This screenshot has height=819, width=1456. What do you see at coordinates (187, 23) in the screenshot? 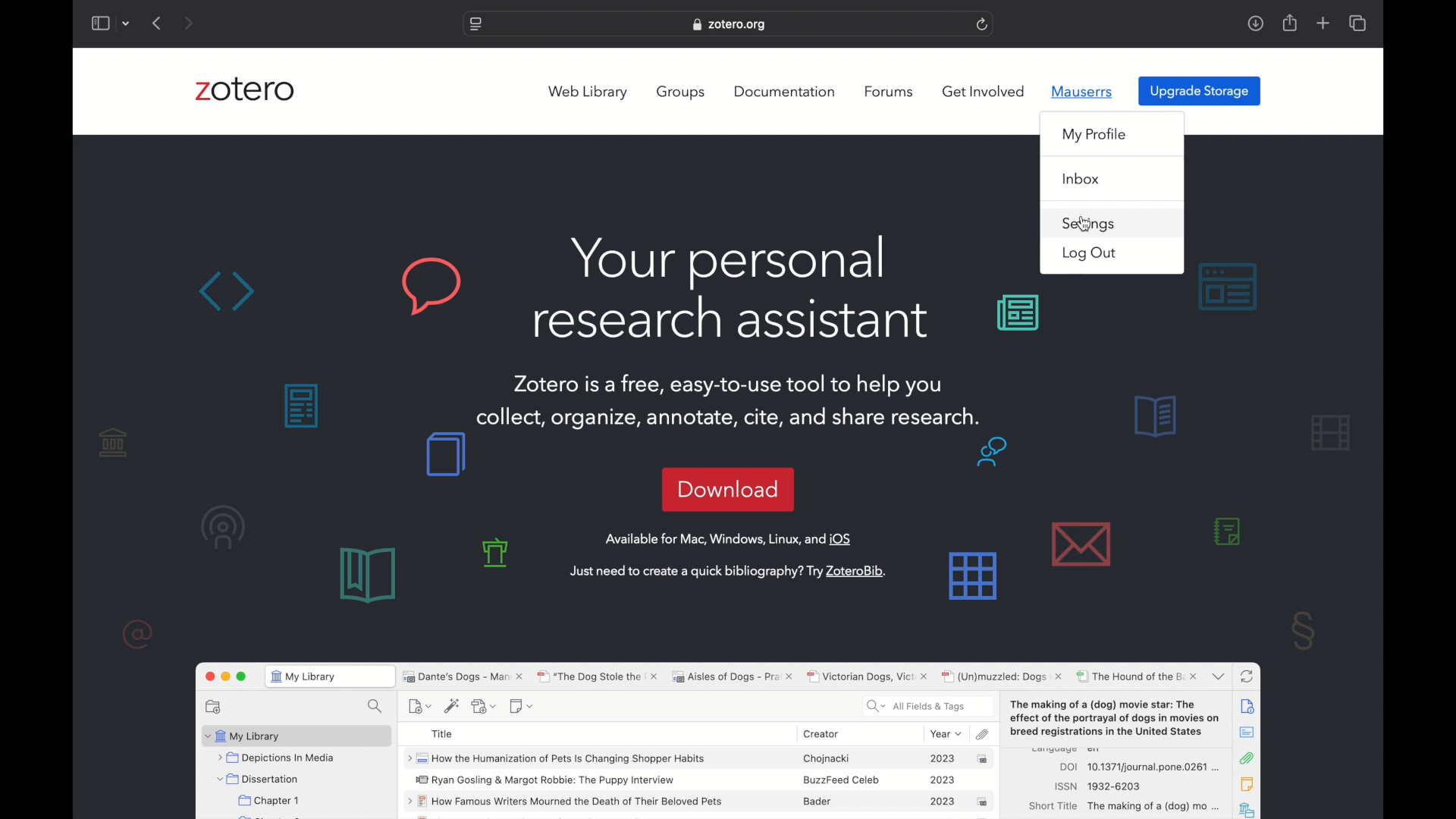
I see `next` at bounding box center [187, 23].